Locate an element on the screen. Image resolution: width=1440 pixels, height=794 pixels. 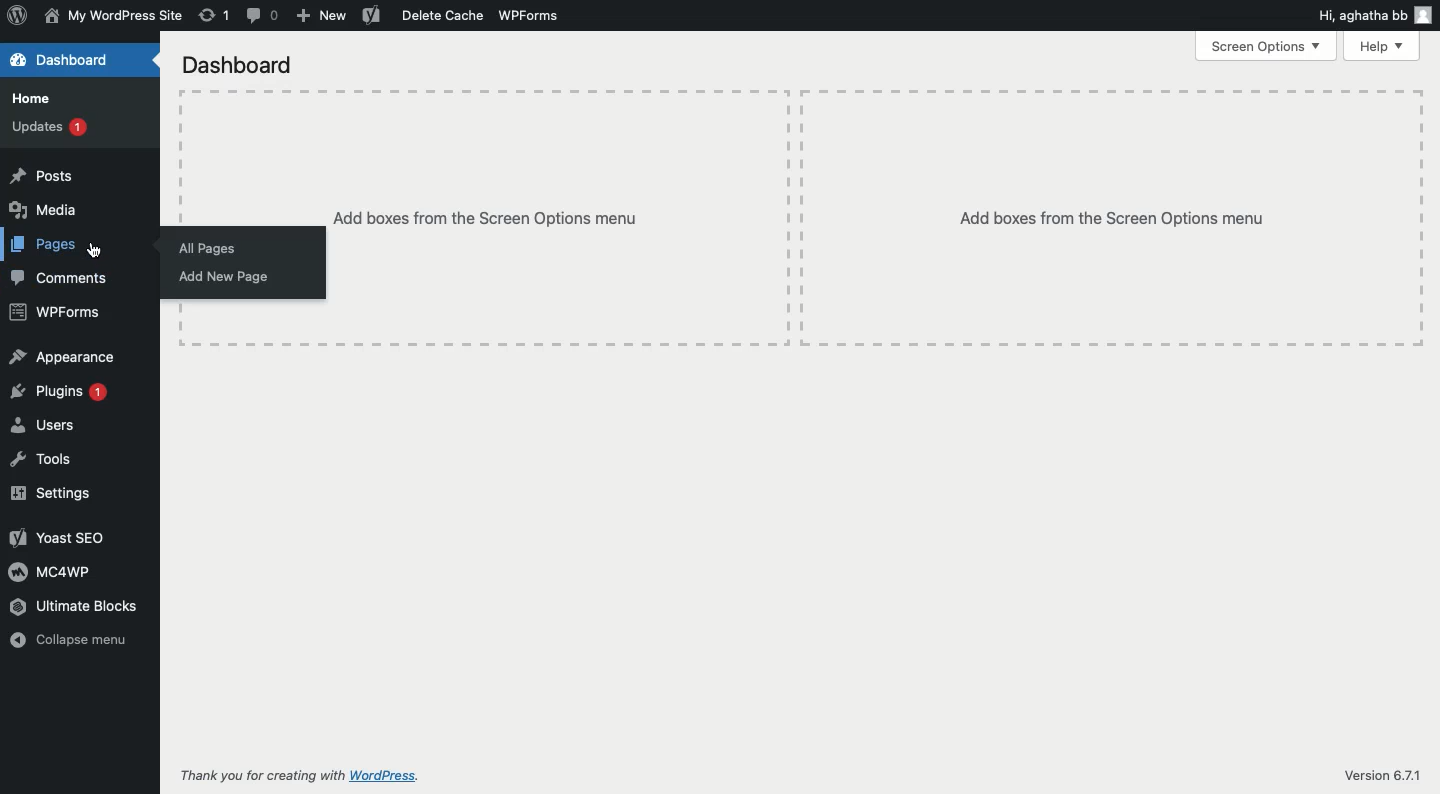
All pages is located at coordinates (208, 249).